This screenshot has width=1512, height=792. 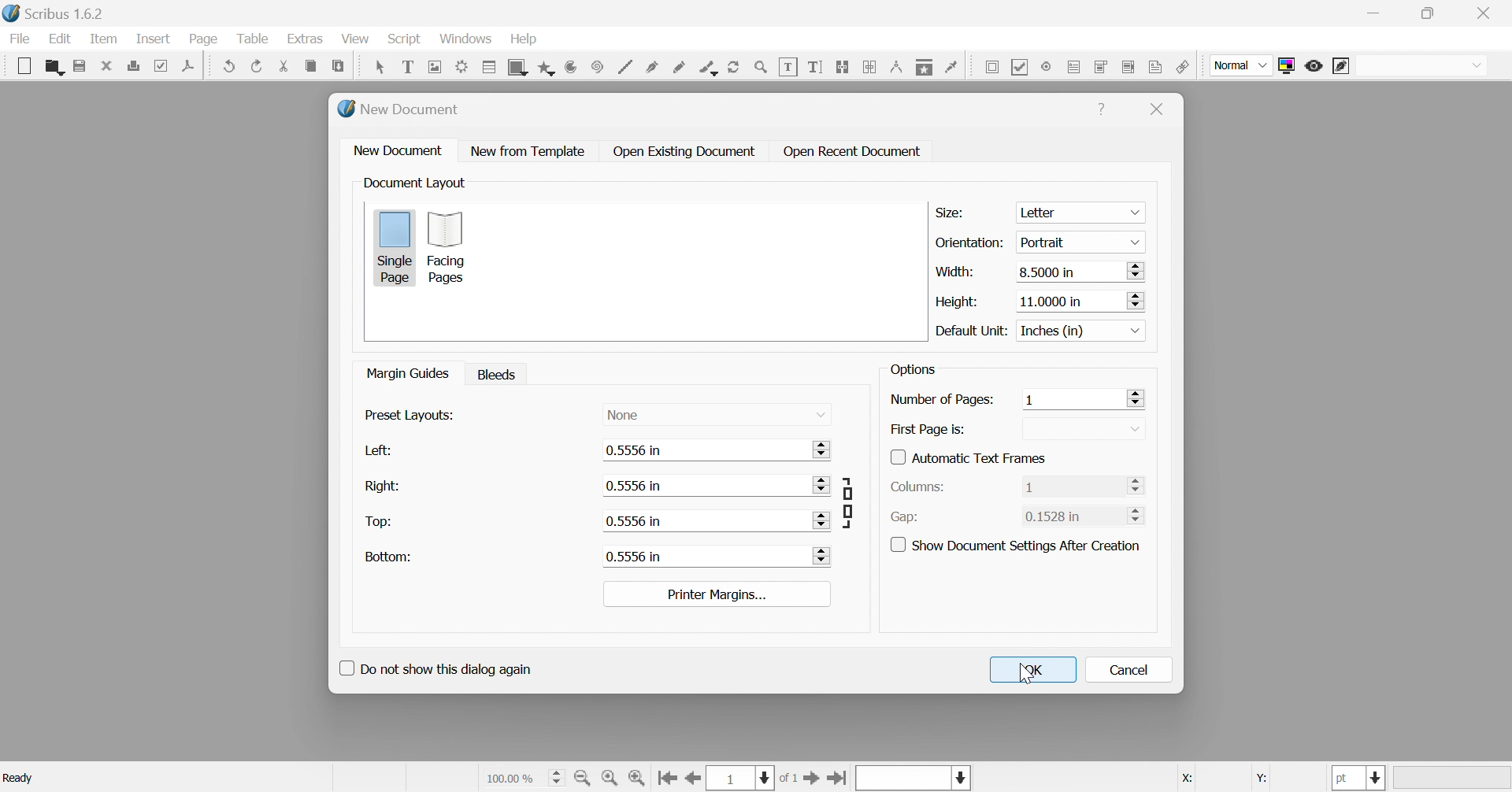 I want to click on inches (in), so click(x=1082, y=330).